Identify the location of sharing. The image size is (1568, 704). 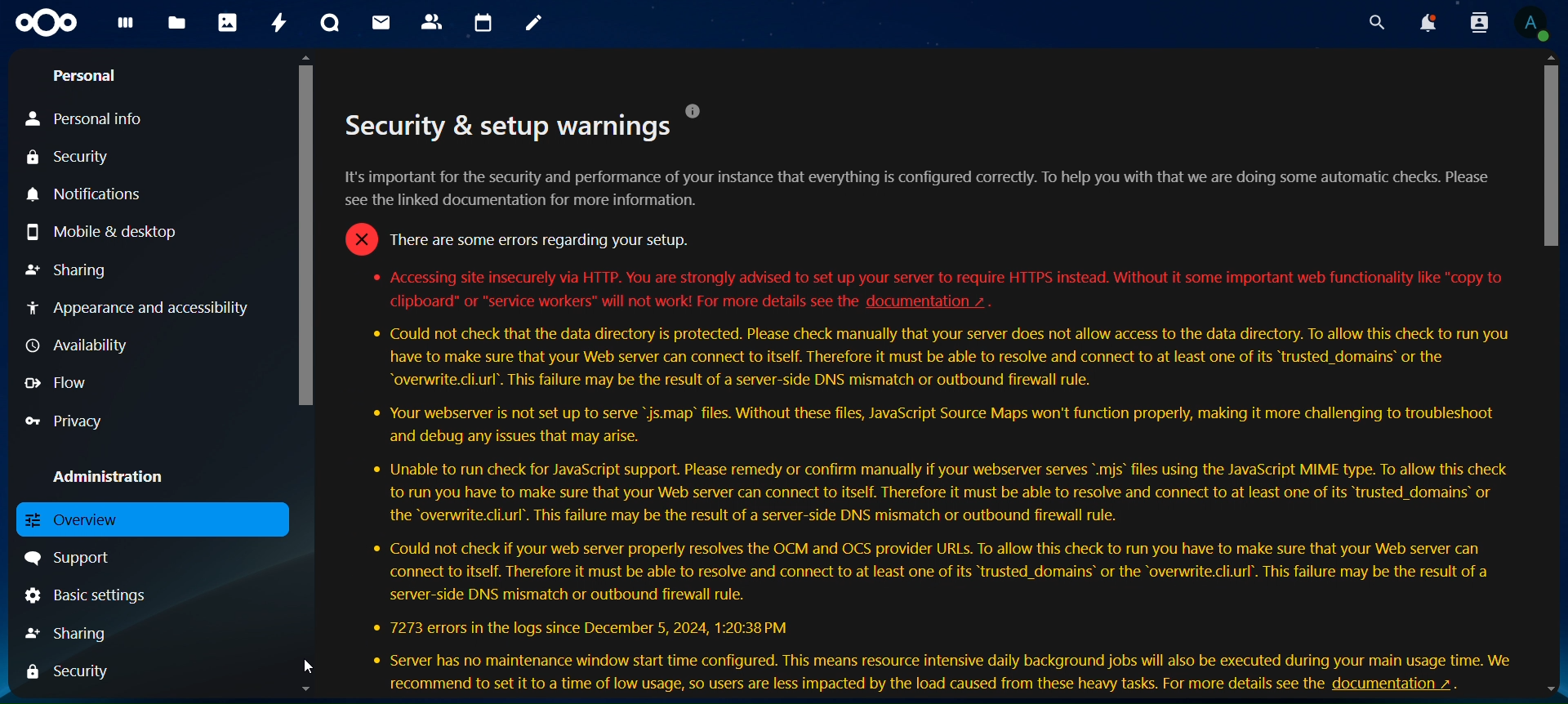
(69, 271).